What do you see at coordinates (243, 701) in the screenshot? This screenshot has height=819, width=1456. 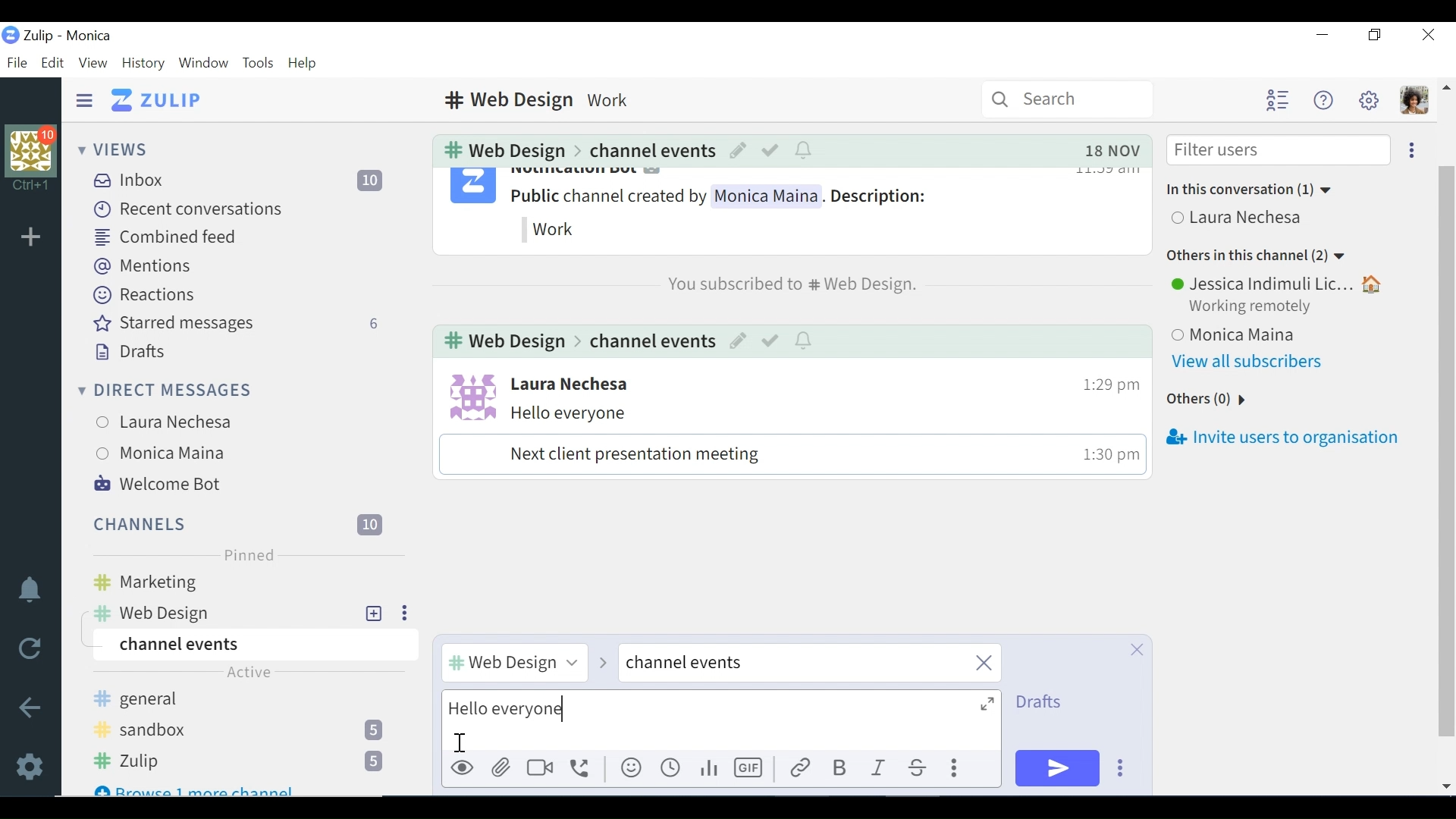 I see `general Channel` at bounding box center [243, 701].